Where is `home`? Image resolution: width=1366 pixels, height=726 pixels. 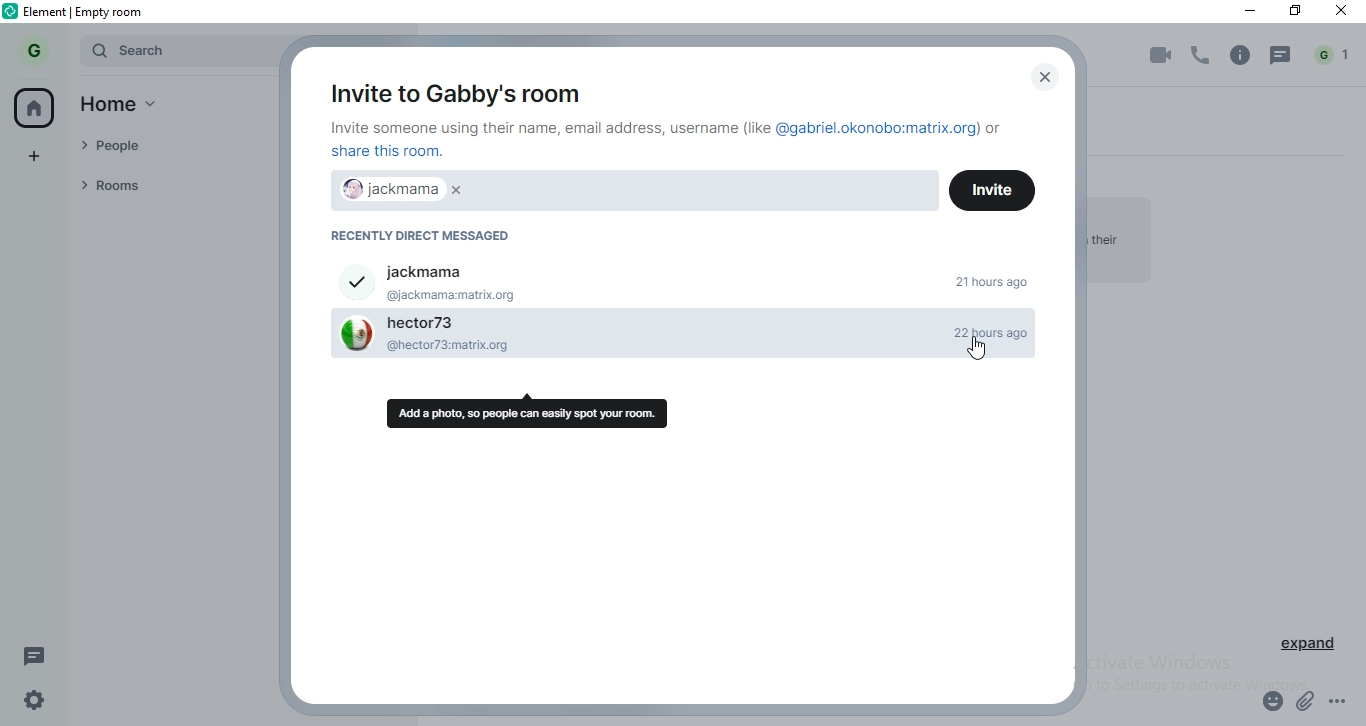 home is located at coordinates (37, 107).